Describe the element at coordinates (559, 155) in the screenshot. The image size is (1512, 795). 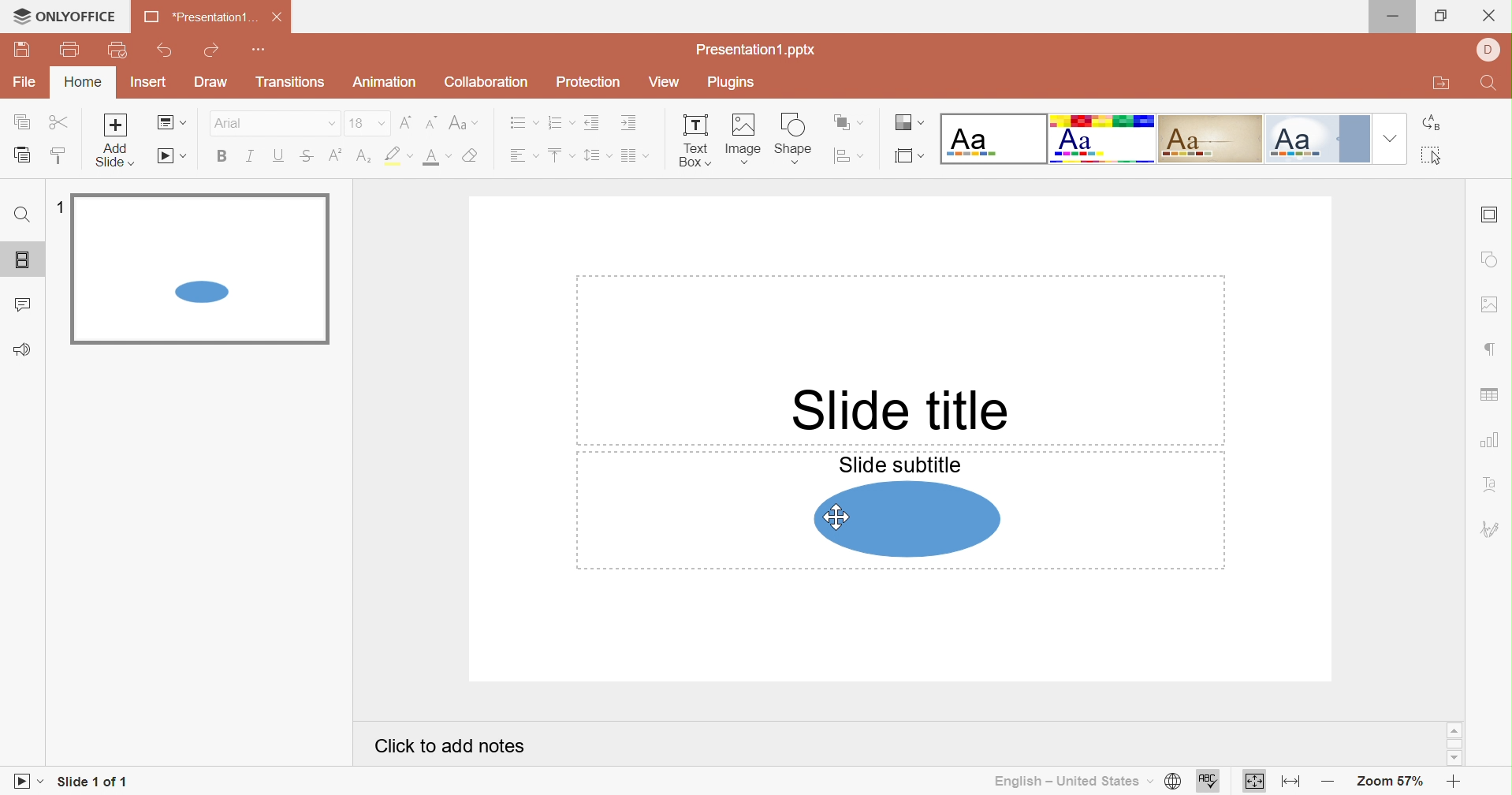
I see `Vertical align` at that location.